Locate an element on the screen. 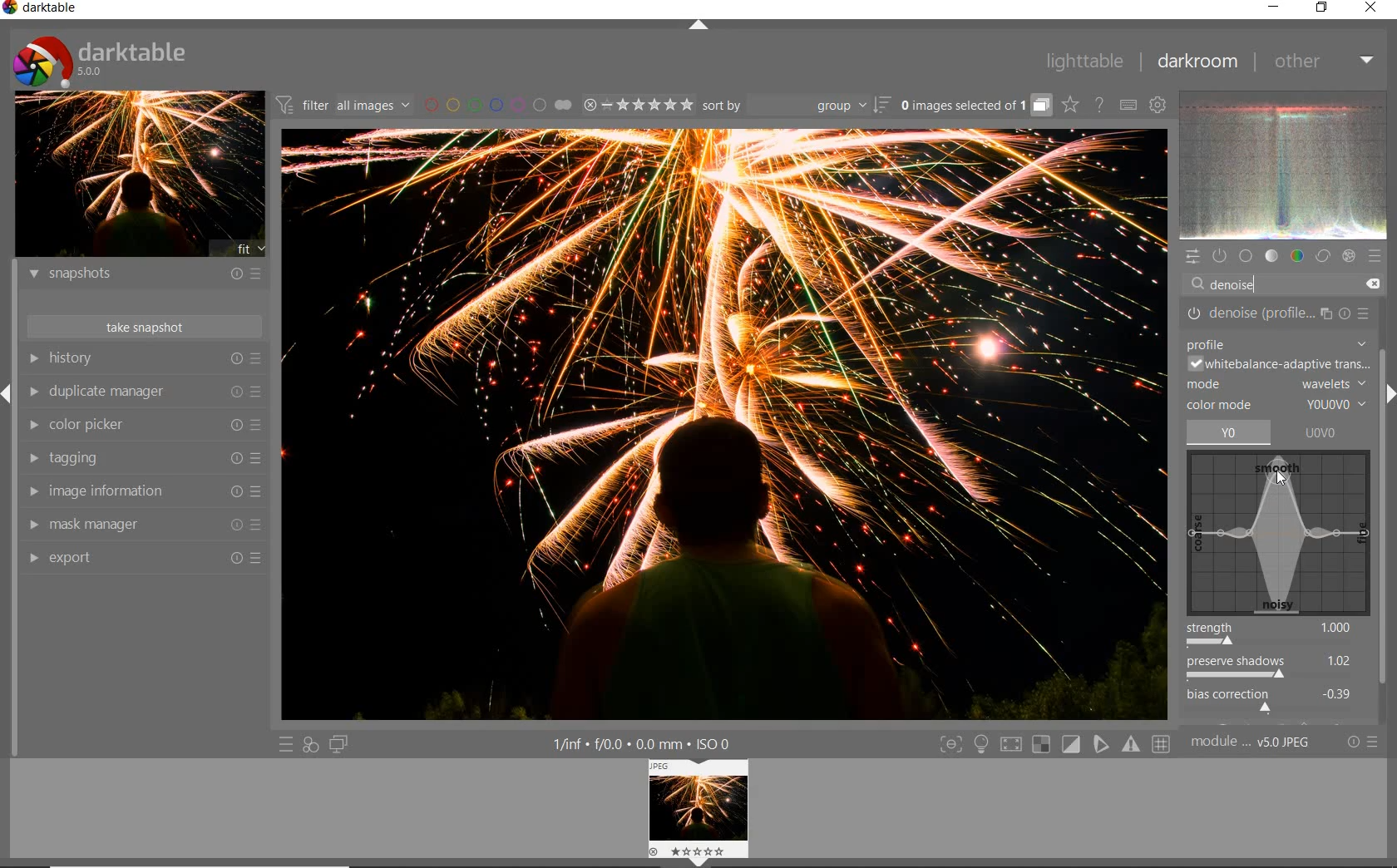  Darktable 5.0.0 is located at coordinates (99, 61).